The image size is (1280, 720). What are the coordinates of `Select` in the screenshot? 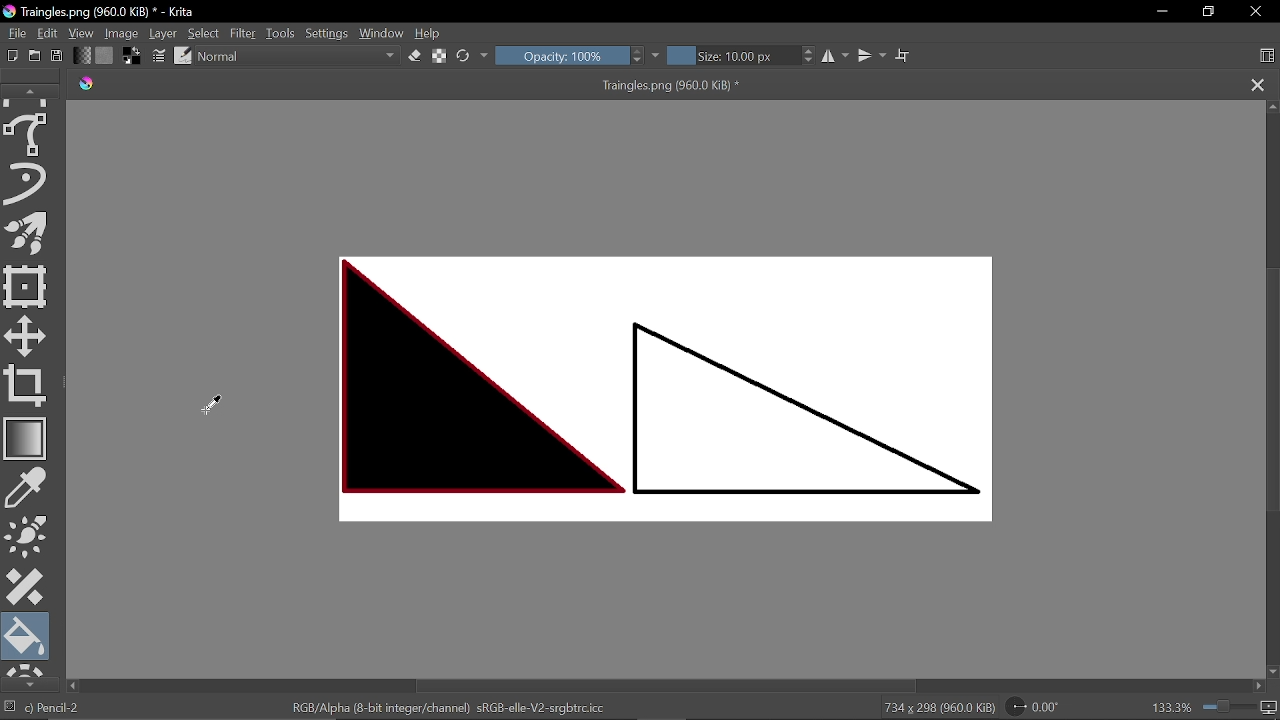 It's located at (203, 34).